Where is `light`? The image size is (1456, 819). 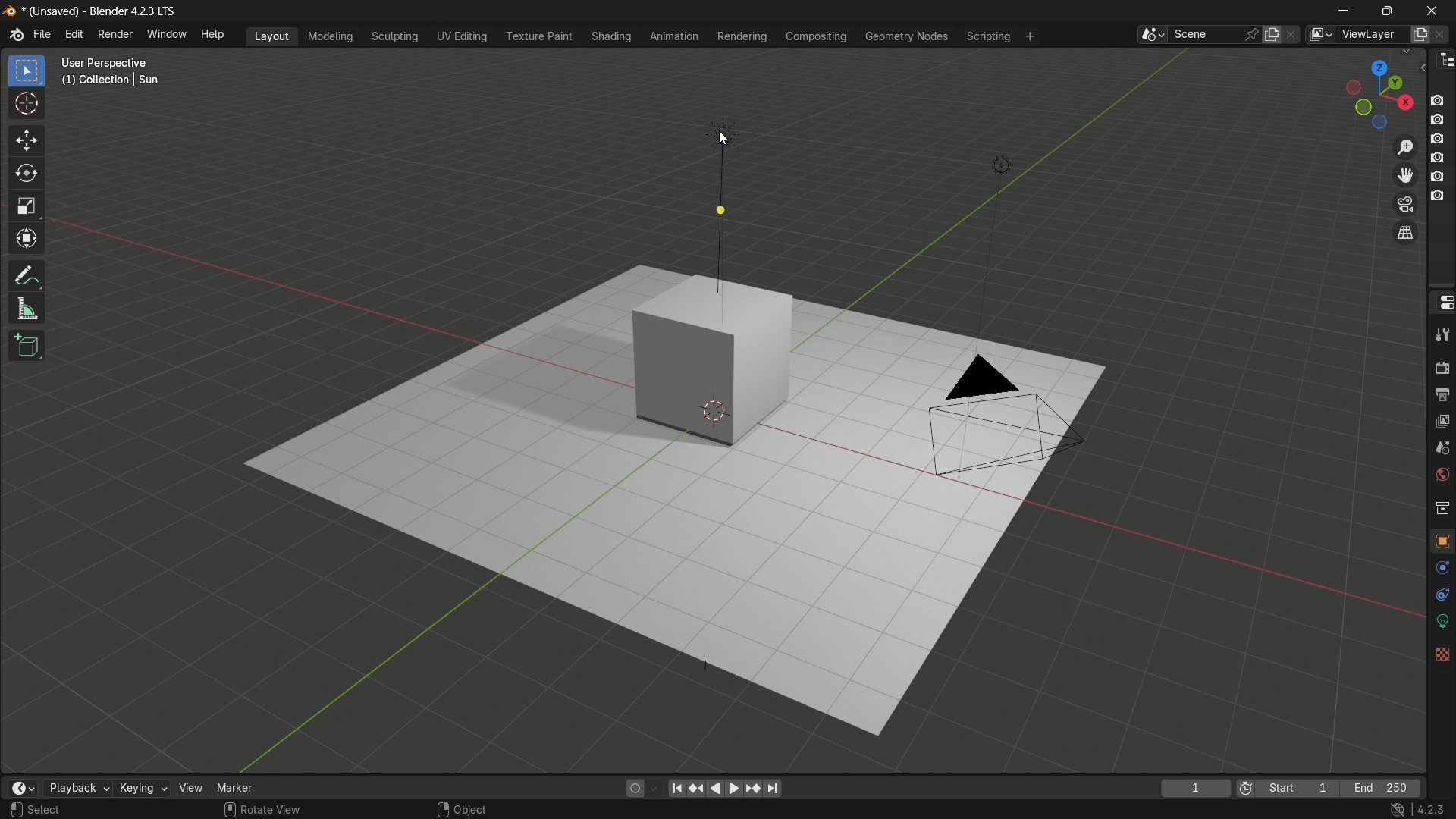
light is located at coordinates (999, 164).